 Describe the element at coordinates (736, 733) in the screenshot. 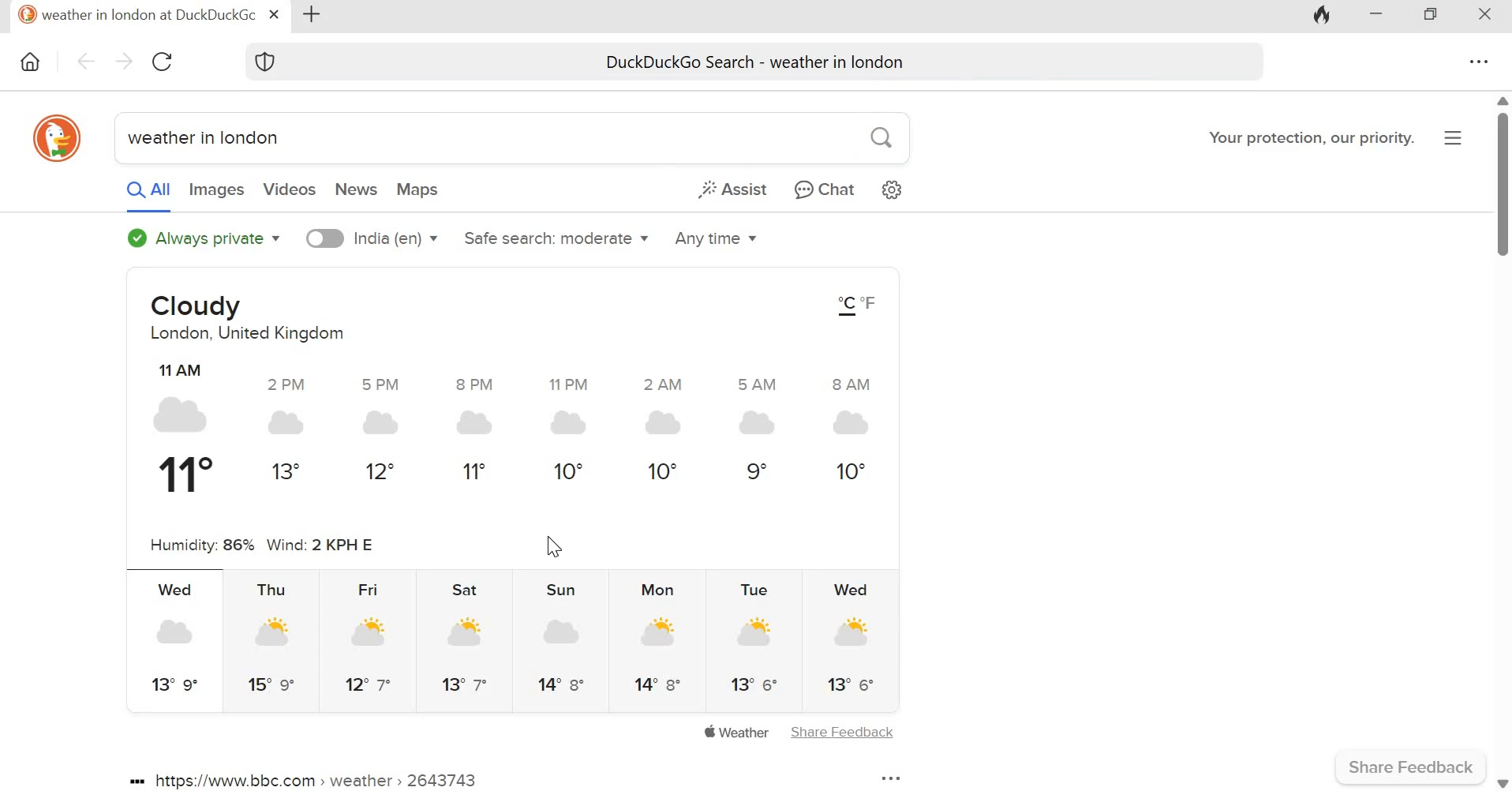

I see `Apple weather` at that location.